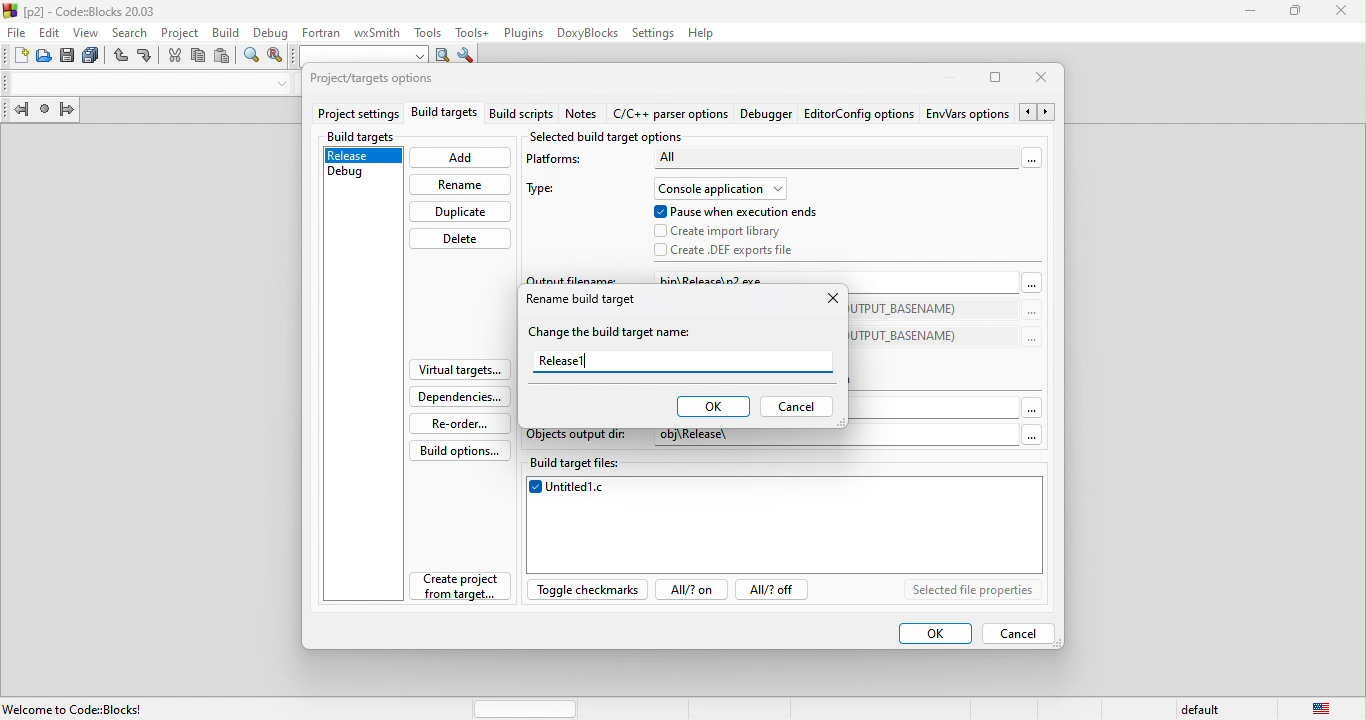 This screenshot has height=720, width=1366. I want to click on editor config option, so click(858, 114).